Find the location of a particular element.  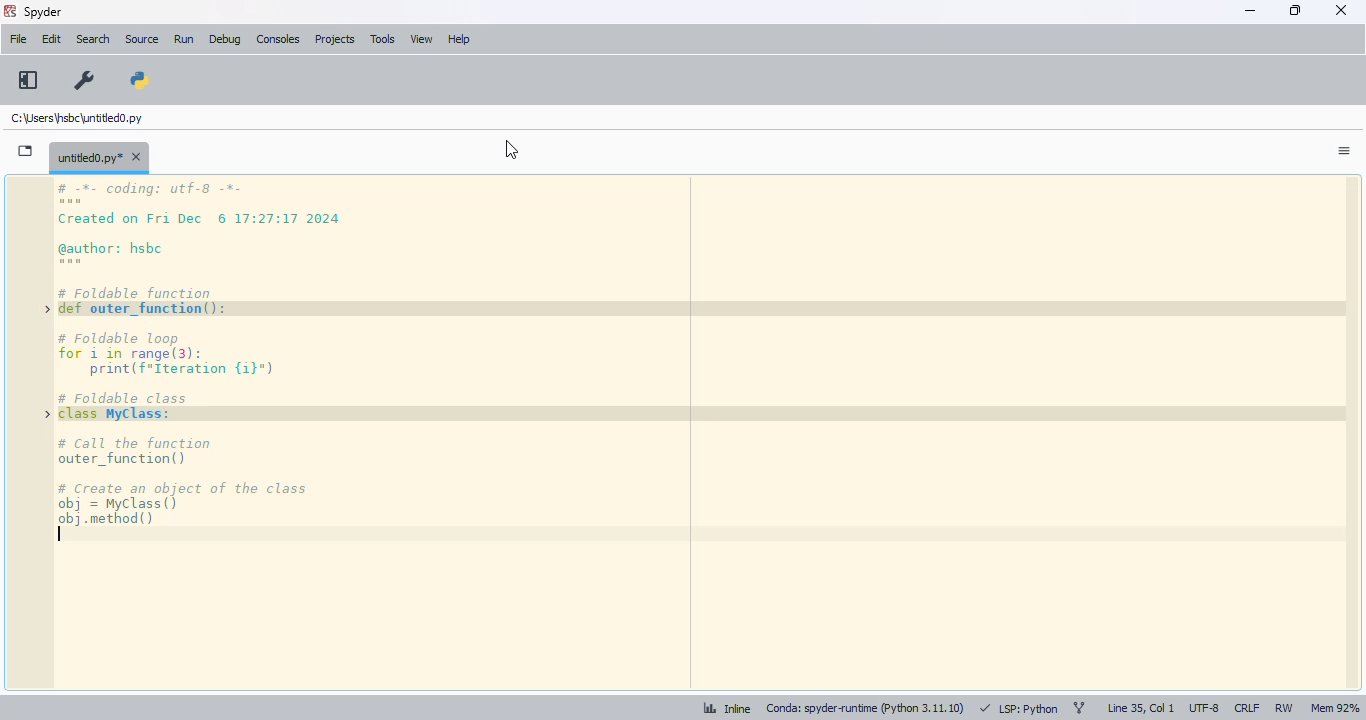

run is located at coordinates (184, 40).